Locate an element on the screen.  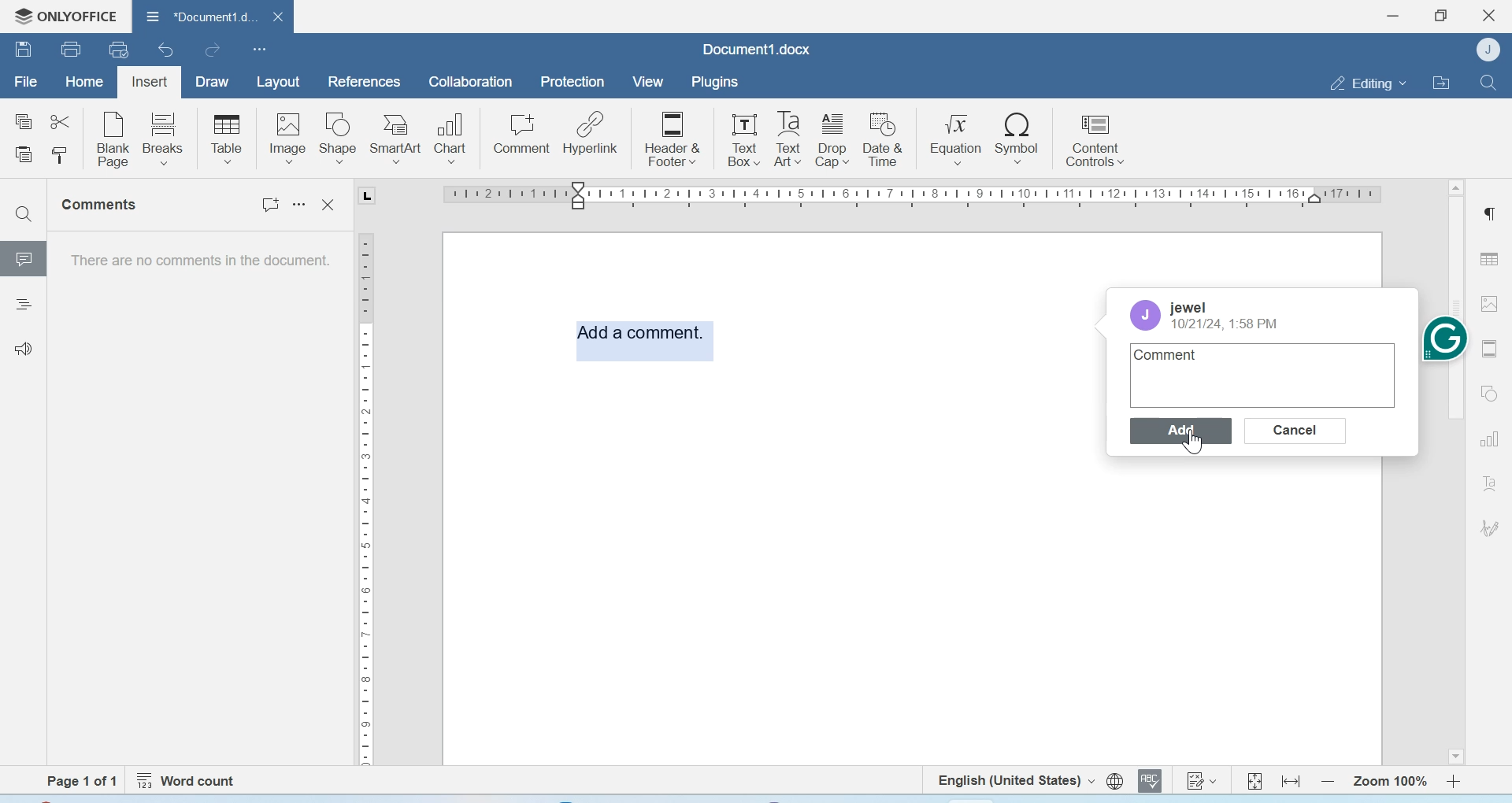
Add is located at coordinates (1184, 431).